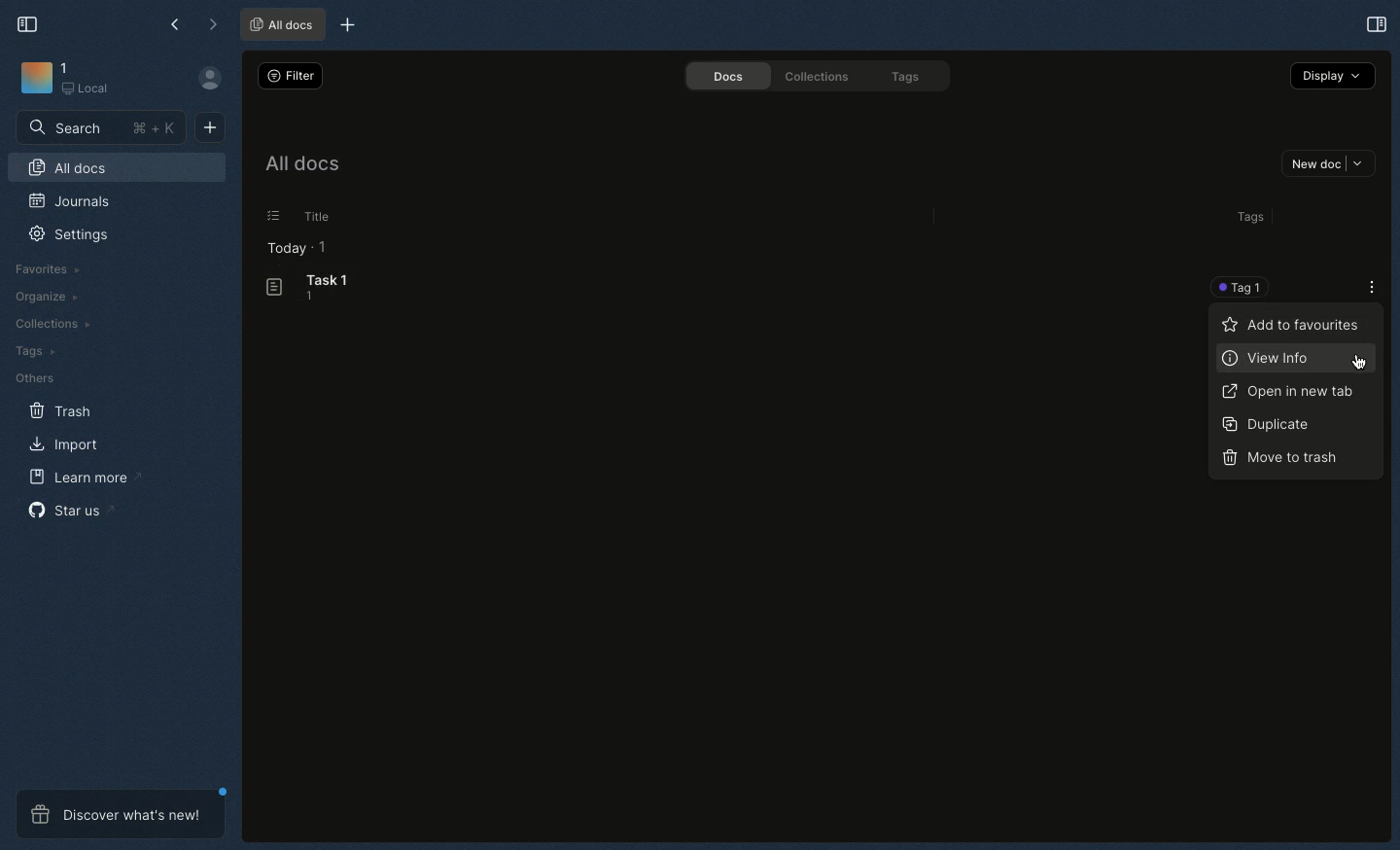  I want to click on Icon, so click(33, 77).